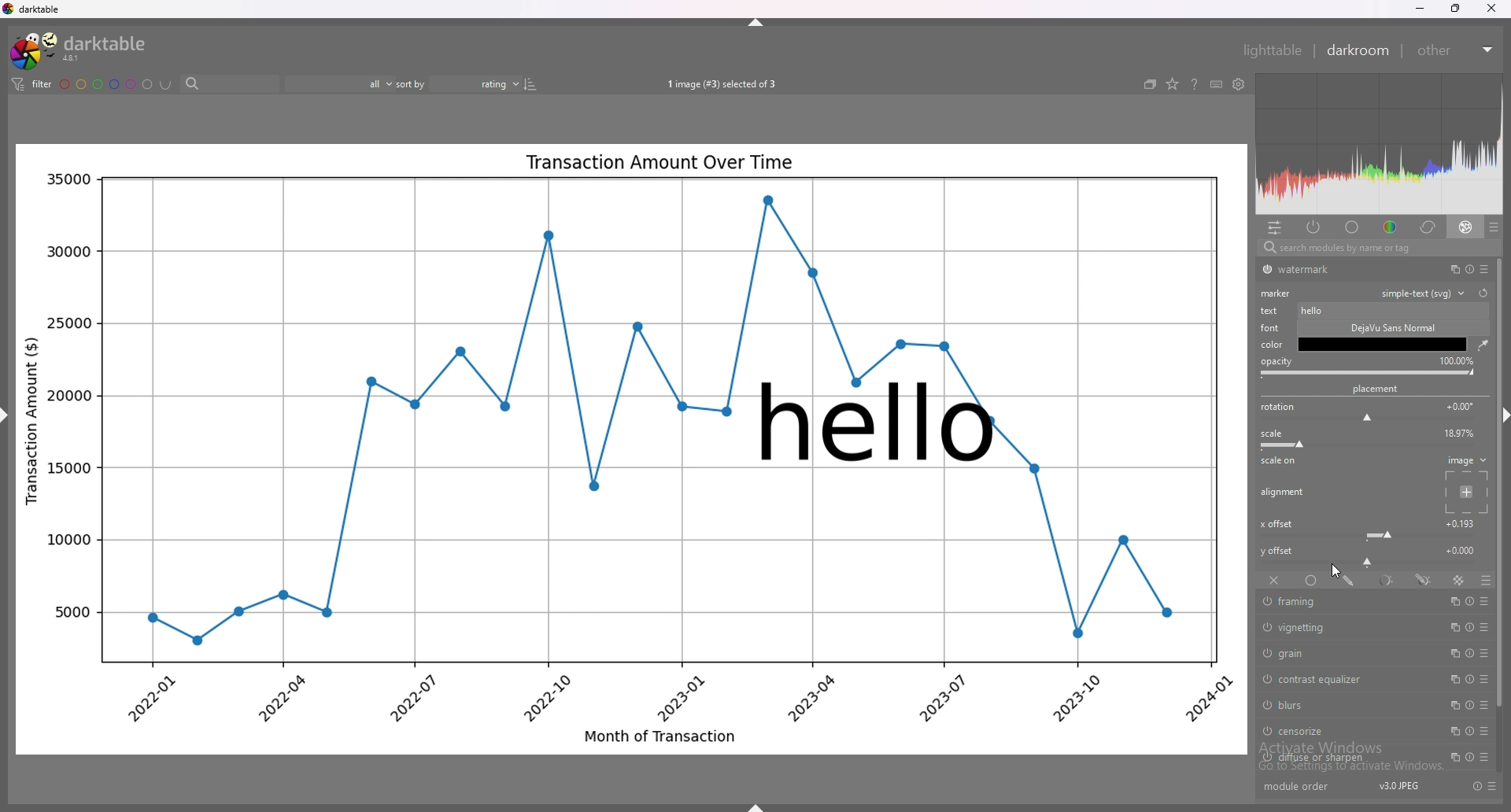  I want to click on opacity, so click(1457, 360).